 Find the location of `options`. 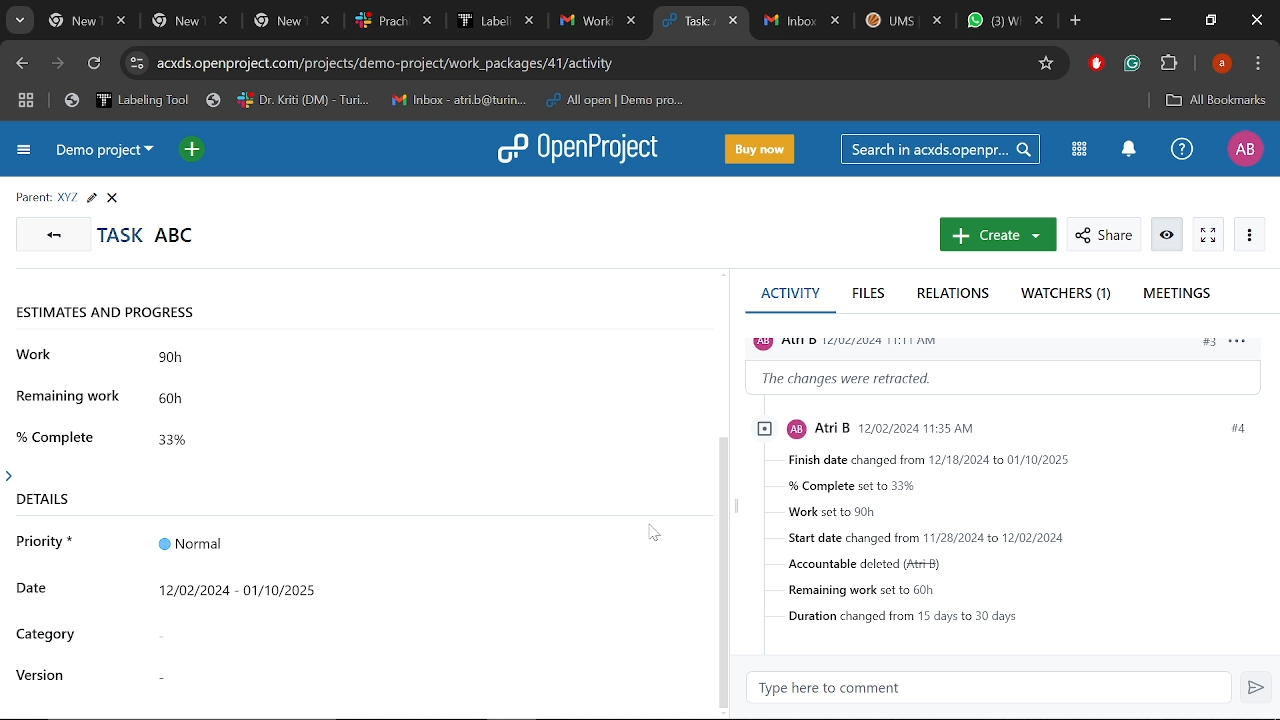

options is located at coordinates (1243, 345).